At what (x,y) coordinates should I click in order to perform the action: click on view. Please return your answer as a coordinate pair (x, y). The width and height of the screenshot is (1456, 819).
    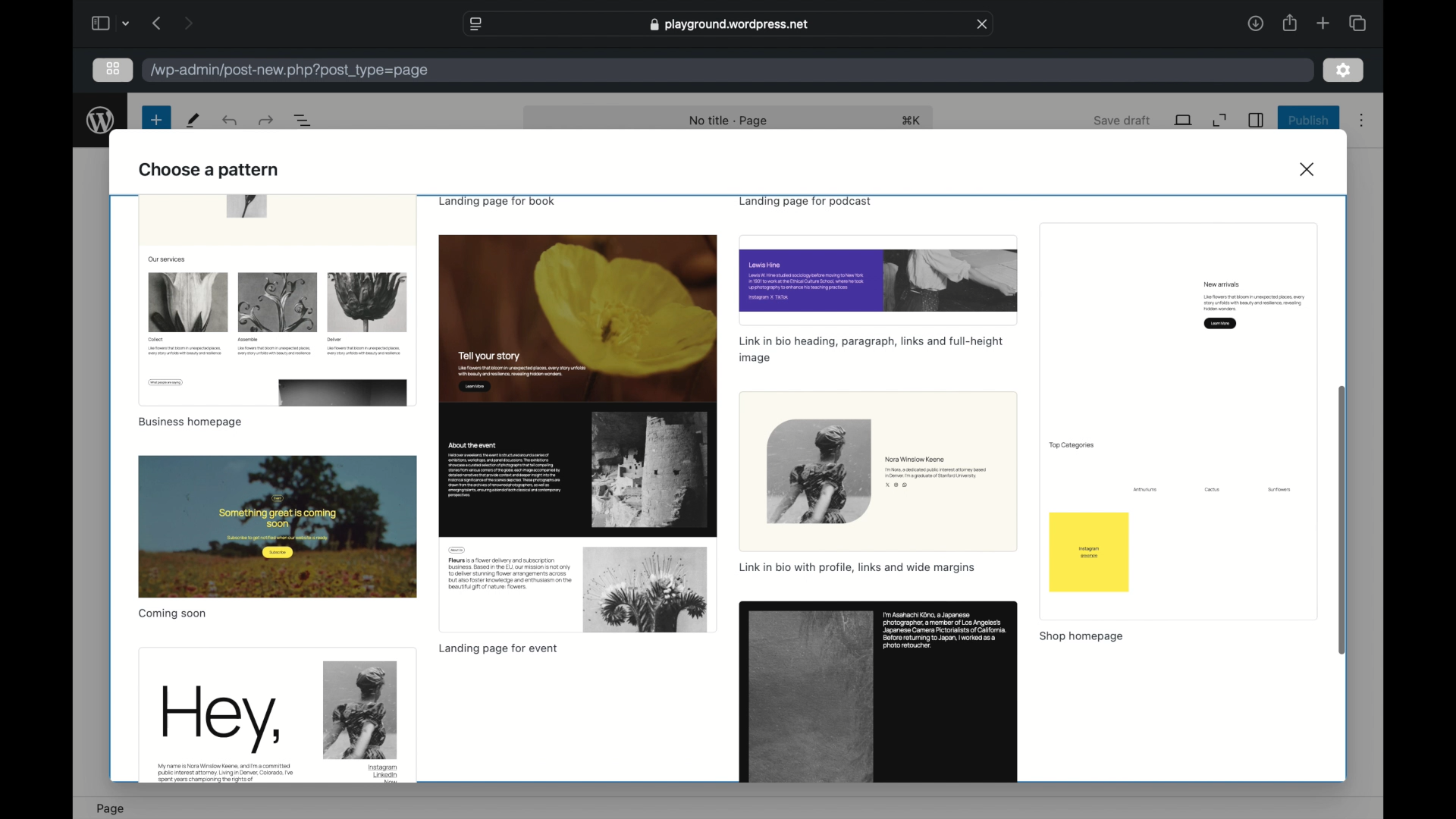
    Looking at the image, I should click on (1183, 119).